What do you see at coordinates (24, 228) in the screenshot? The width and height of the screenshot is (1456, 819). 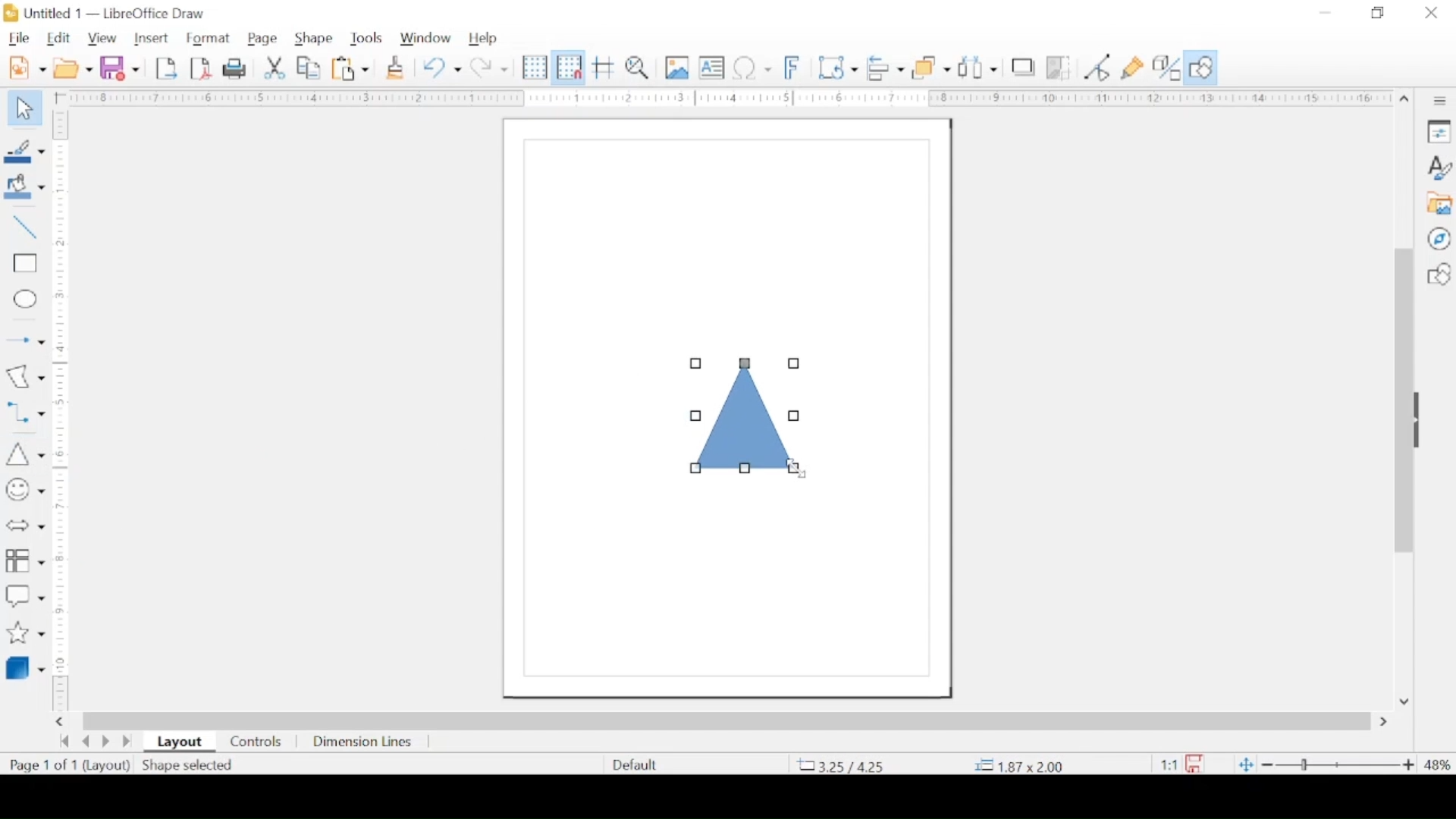 I see `insert line` at bounding box center [24, 228].